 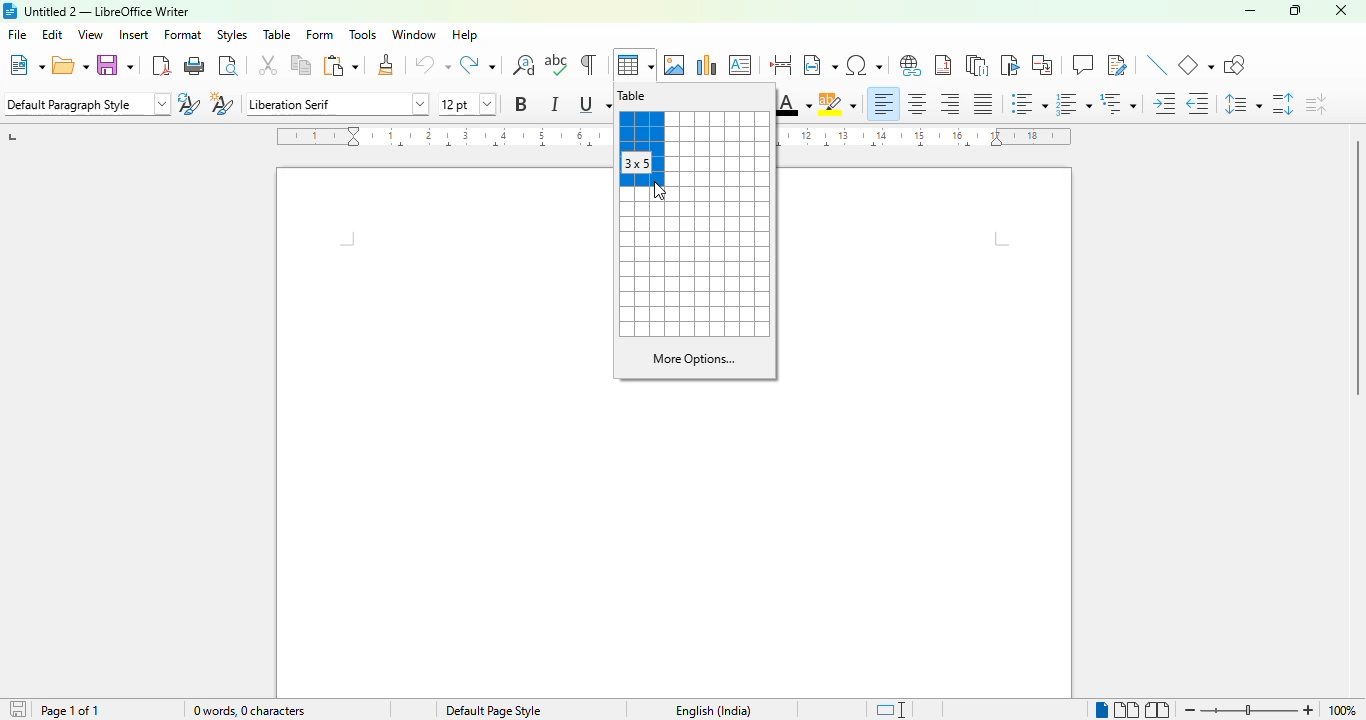 I want to click on page 1 of 1, so click(x=68, y=710).